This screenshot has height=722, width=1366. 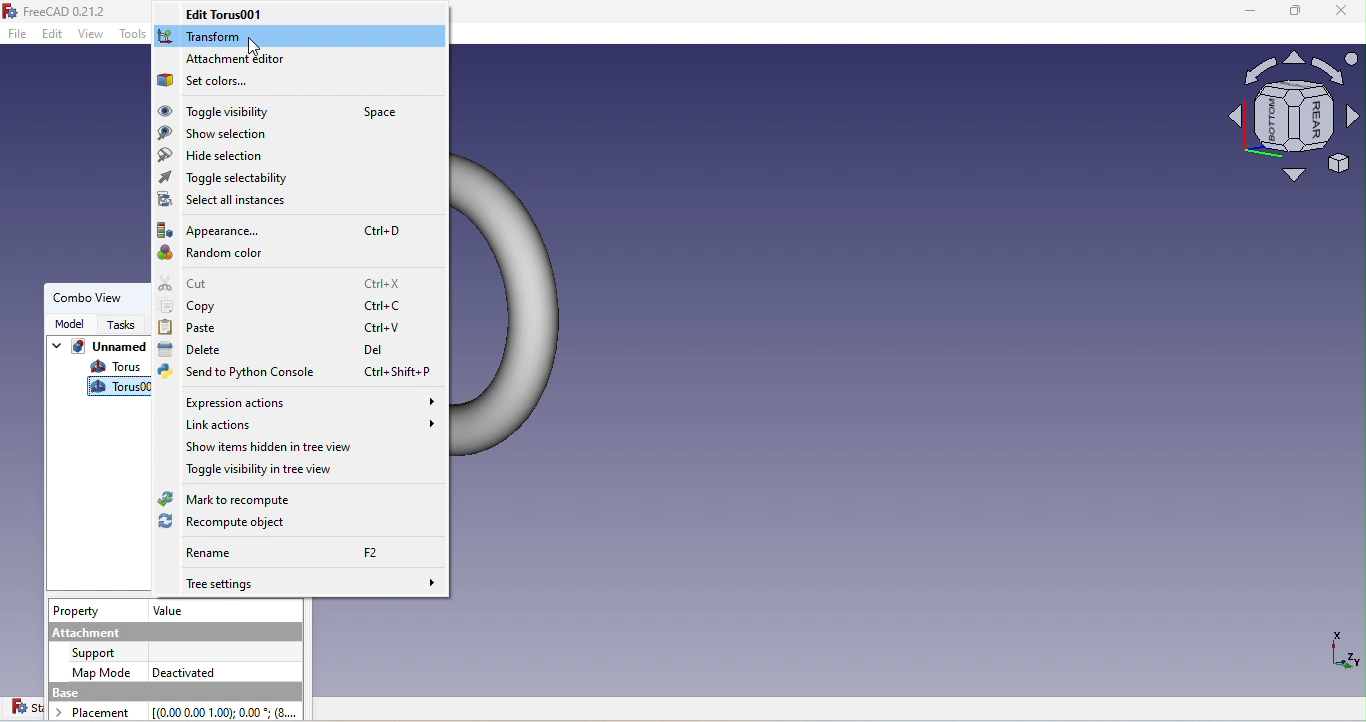 I want to click on Placement  [(0.00 0.00 1.00): 0.00 * (8..., so click(x=181, y=711).